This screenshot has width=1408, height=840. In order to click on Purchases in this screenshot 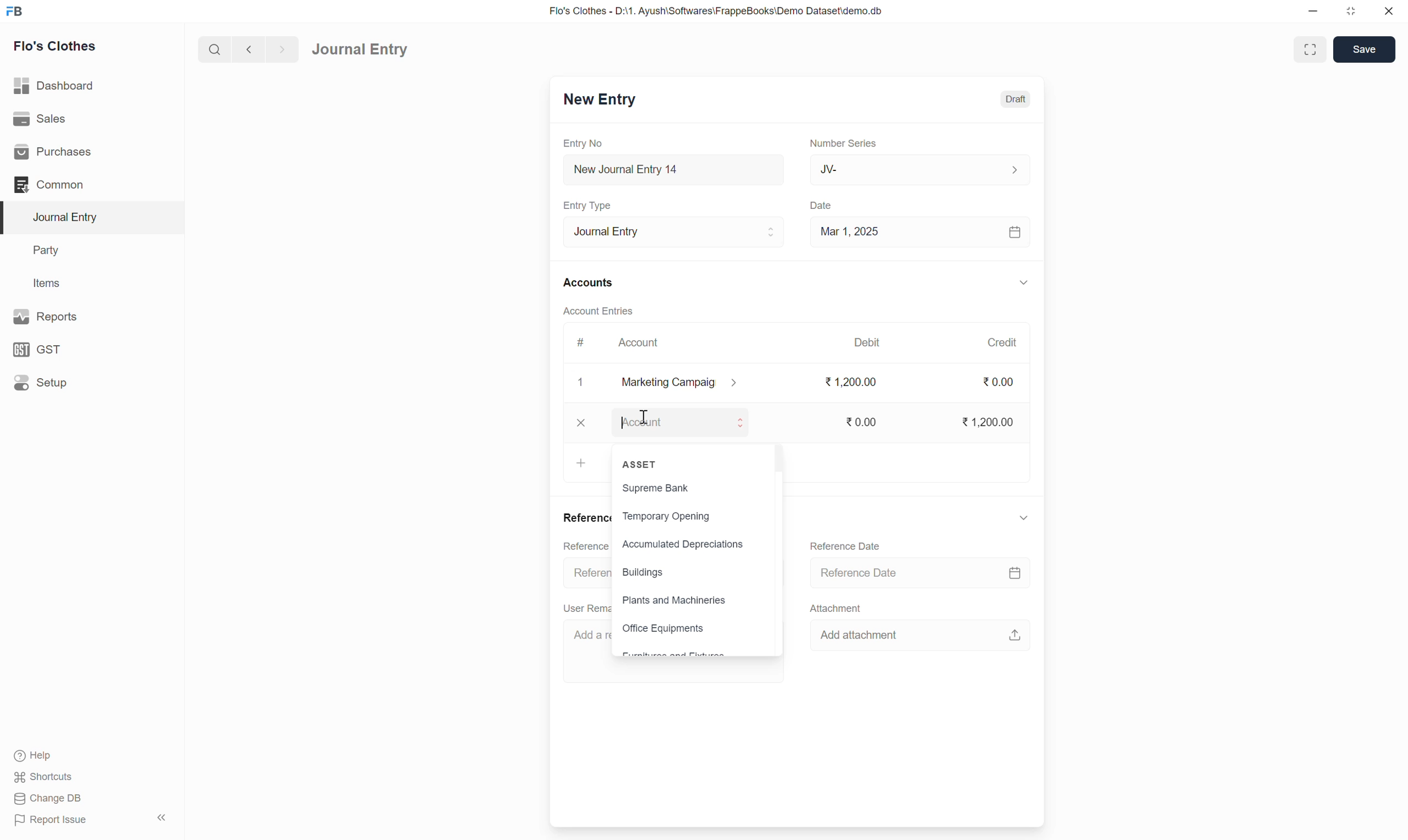, I will do `click(56, 152)`.